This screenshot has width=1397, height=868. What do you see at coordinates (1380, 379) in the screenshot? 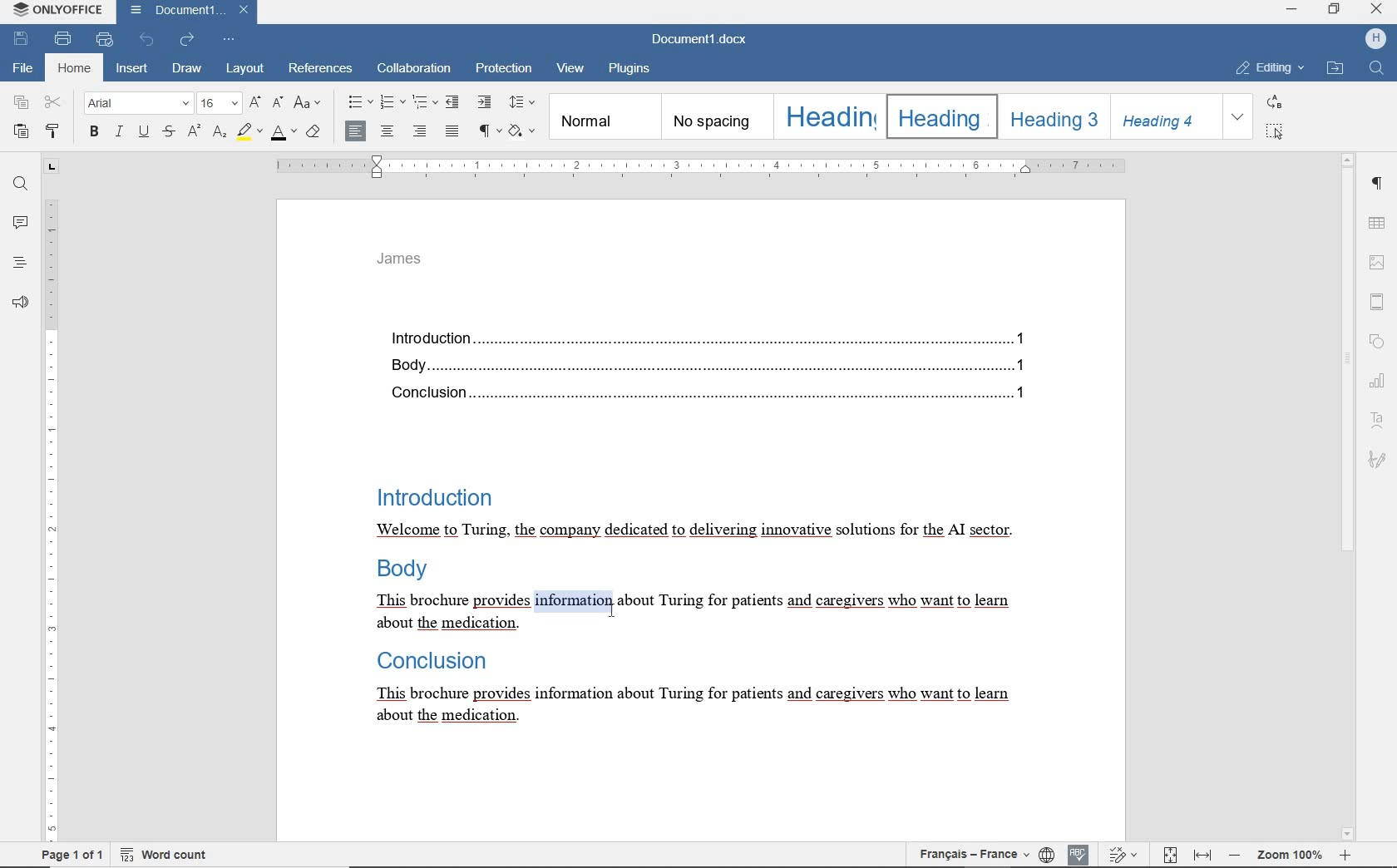
I see `CHART` at bounding box center [1380, 379].